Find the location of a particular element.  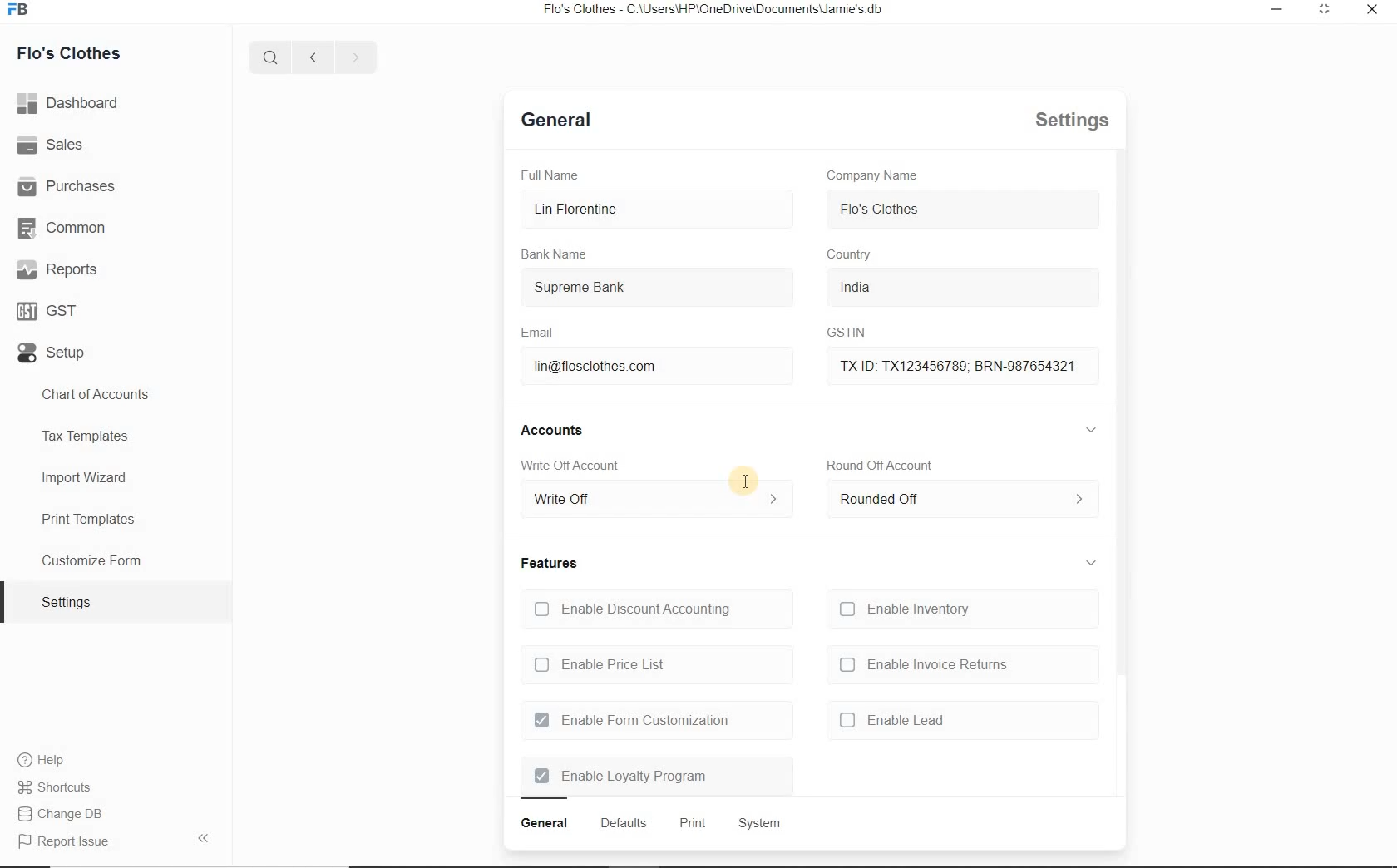

India is located at coordinates (855, 289).